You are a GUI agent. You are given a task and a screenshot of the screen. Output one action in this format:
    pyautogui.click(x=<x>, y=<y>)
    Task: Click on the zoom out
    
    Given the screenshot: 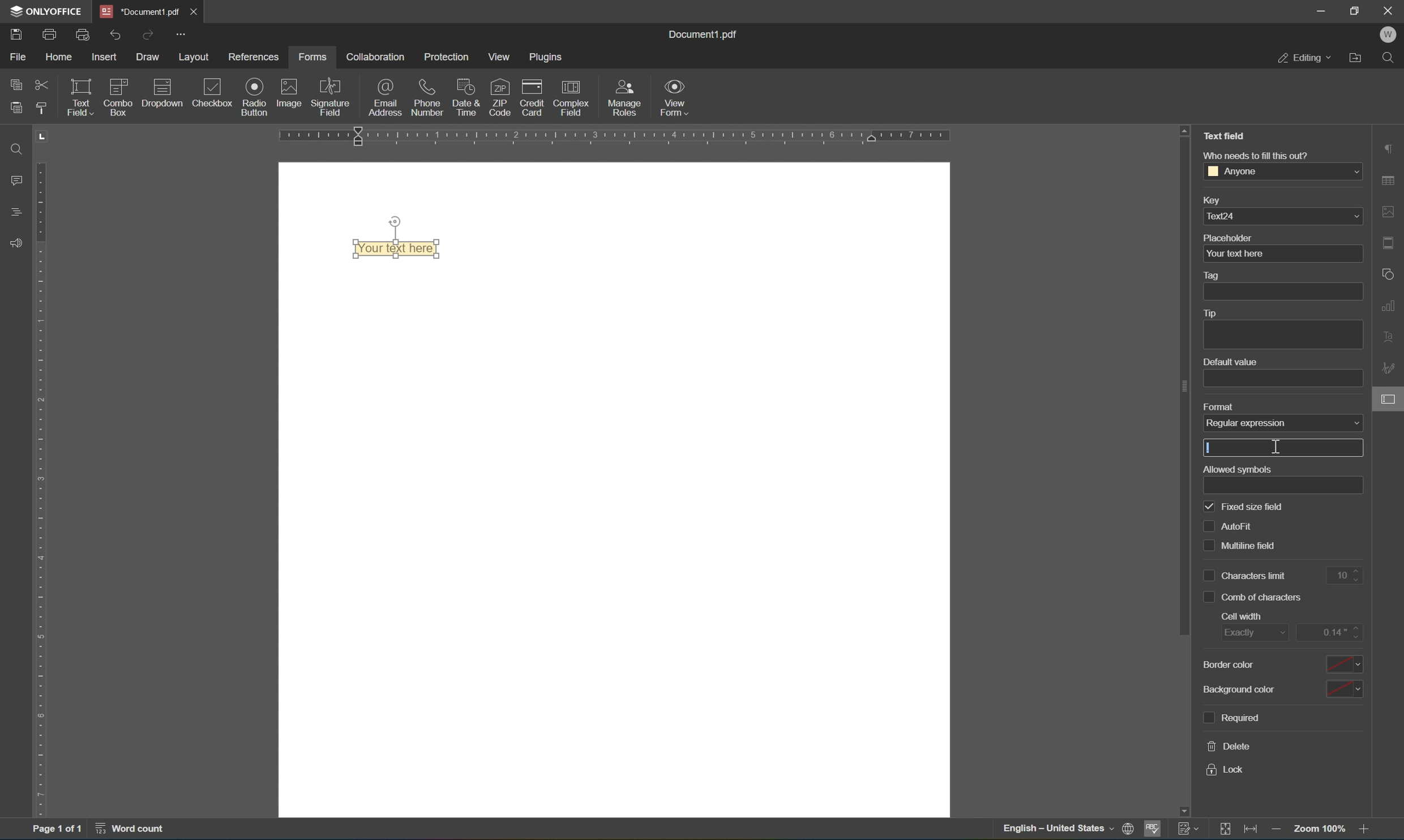 What is the action you would take?
    pyautogui.click(x=1322, y=829)
    